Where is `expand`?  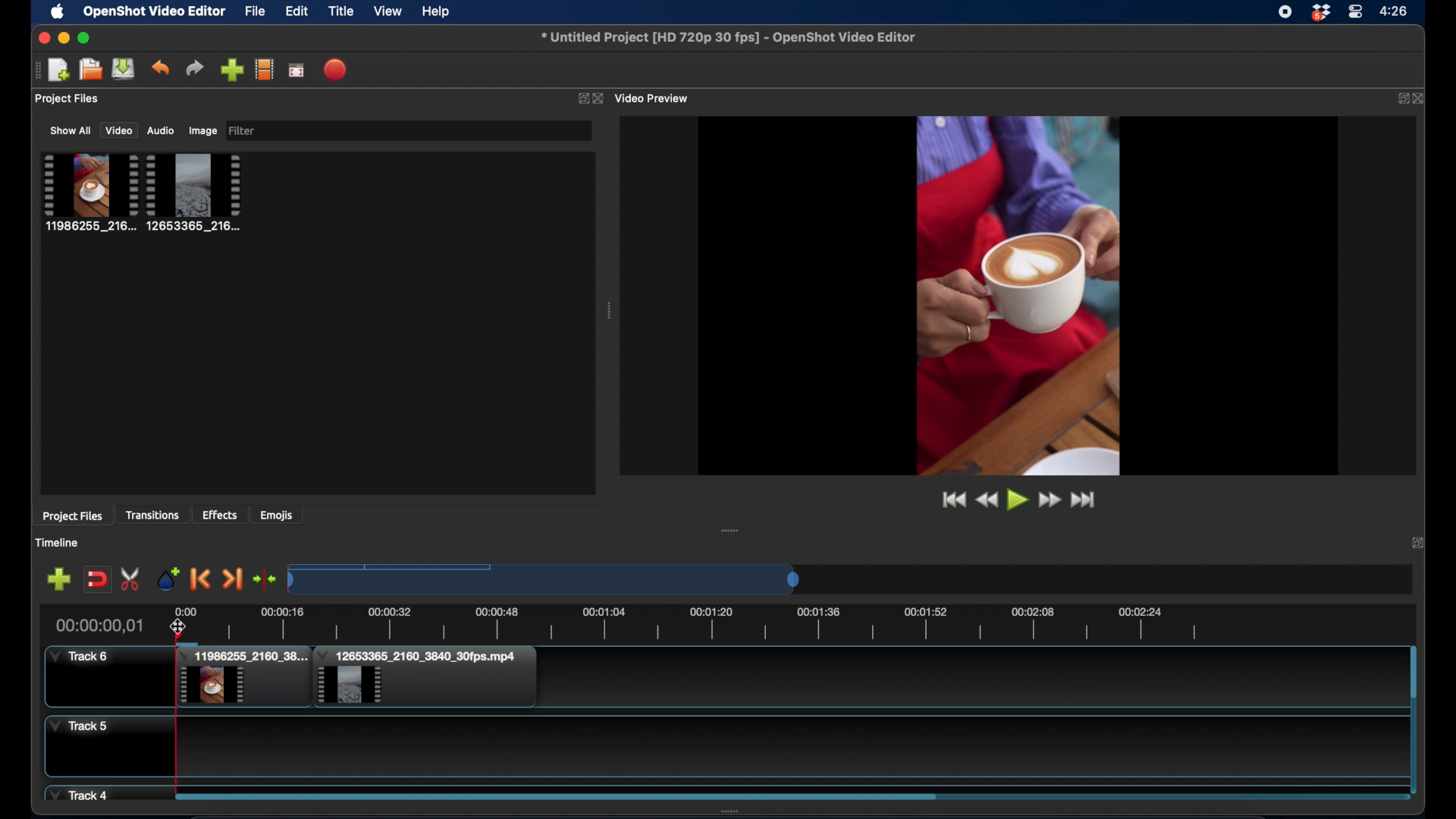 expand is located at coordinates (581, 98).